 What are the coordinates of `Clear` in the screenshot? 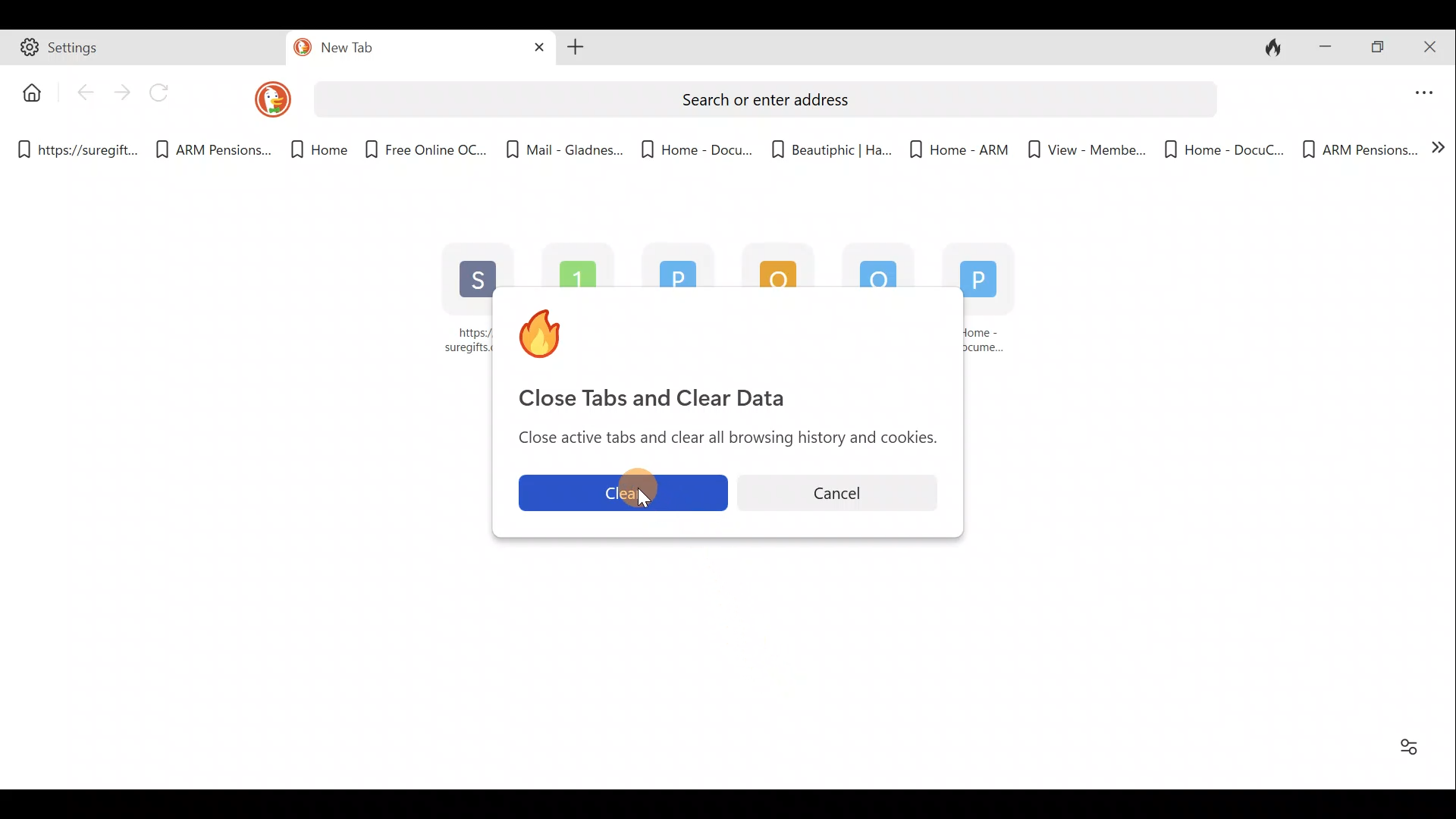 It's located at (620, 493).